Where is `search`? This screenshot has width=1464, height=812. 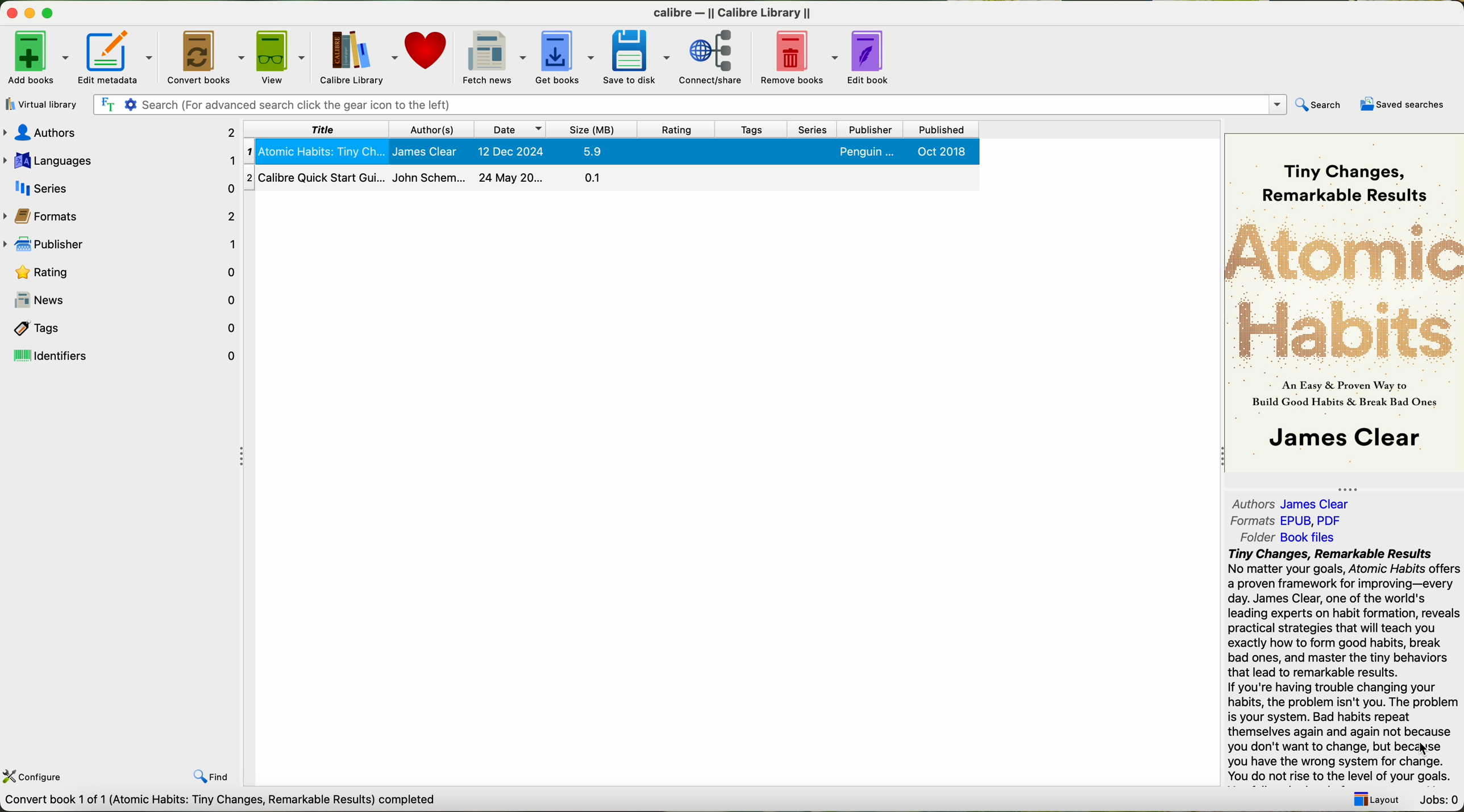 search is located at coordinates (1319, 106).